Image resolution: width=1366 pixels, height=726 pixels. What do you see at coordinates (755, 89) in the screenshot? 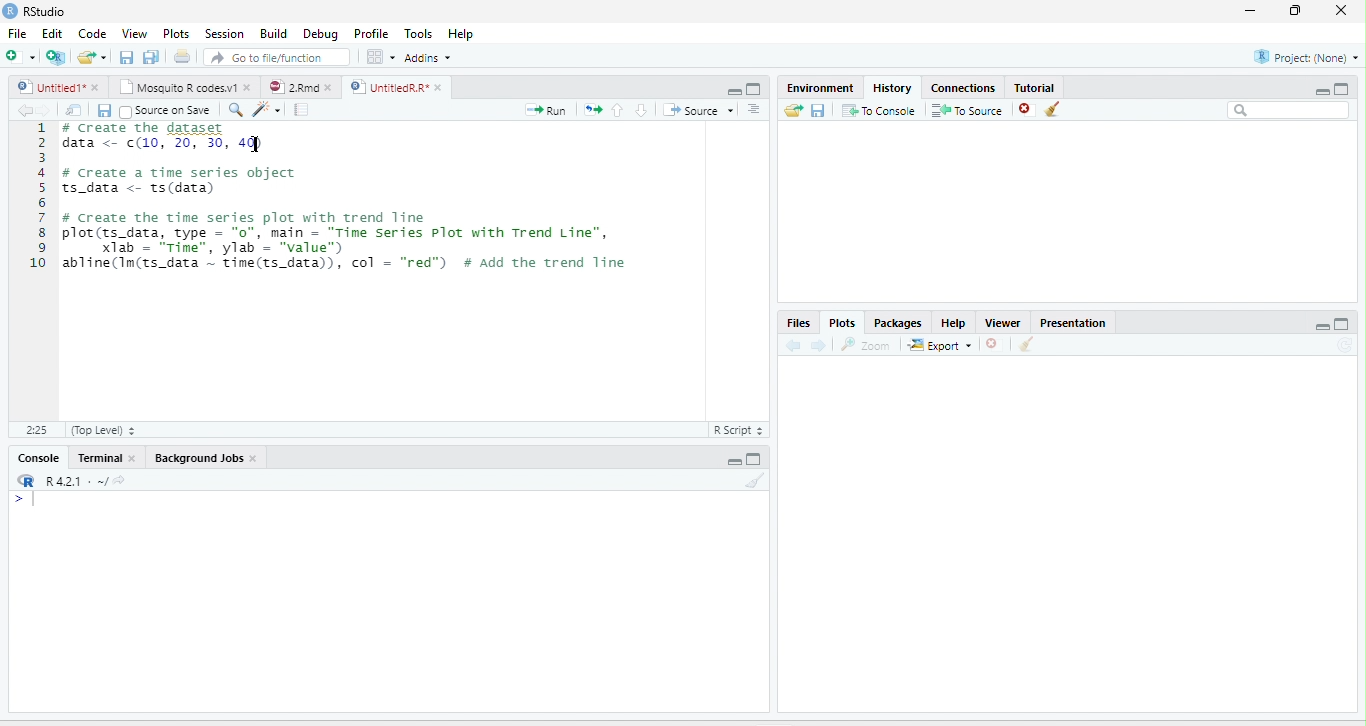
I see `Maximize` at bounding box center [755, 89].